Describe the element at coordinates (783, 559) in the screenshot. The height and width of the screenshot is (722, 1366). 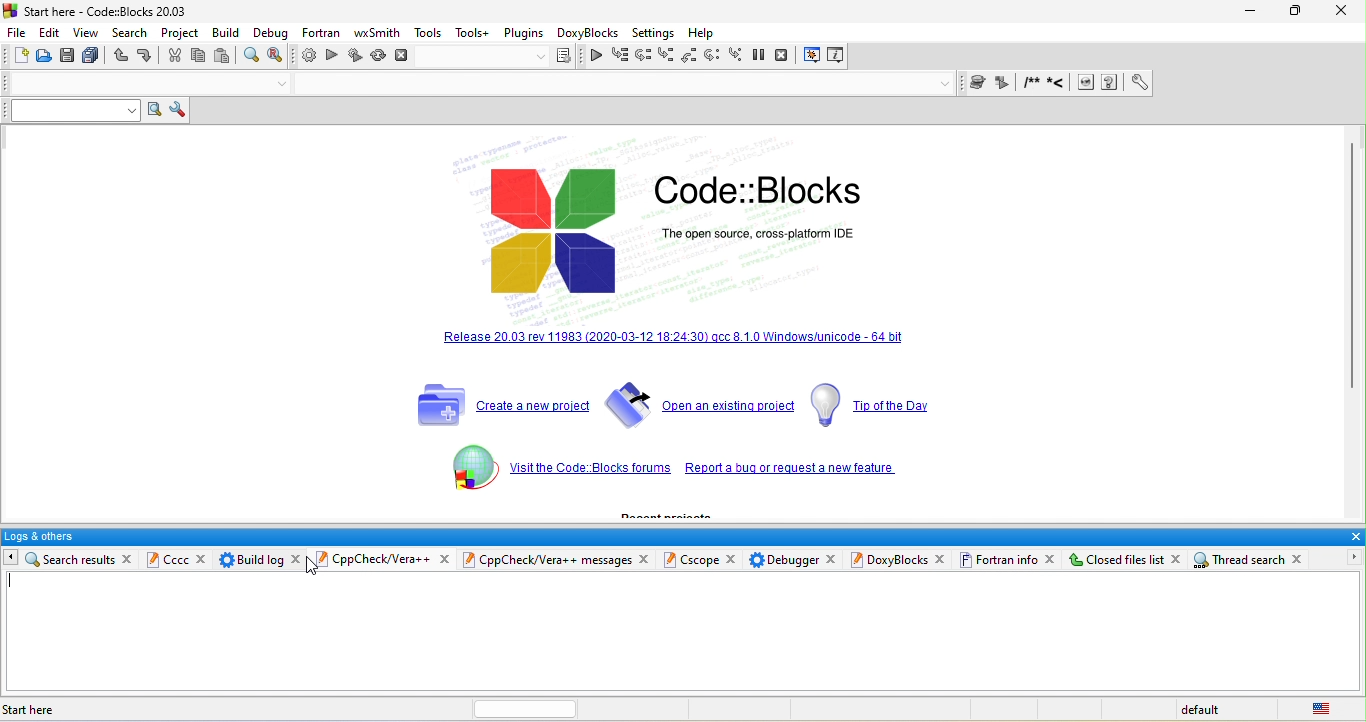
I see `debugger` at that location.